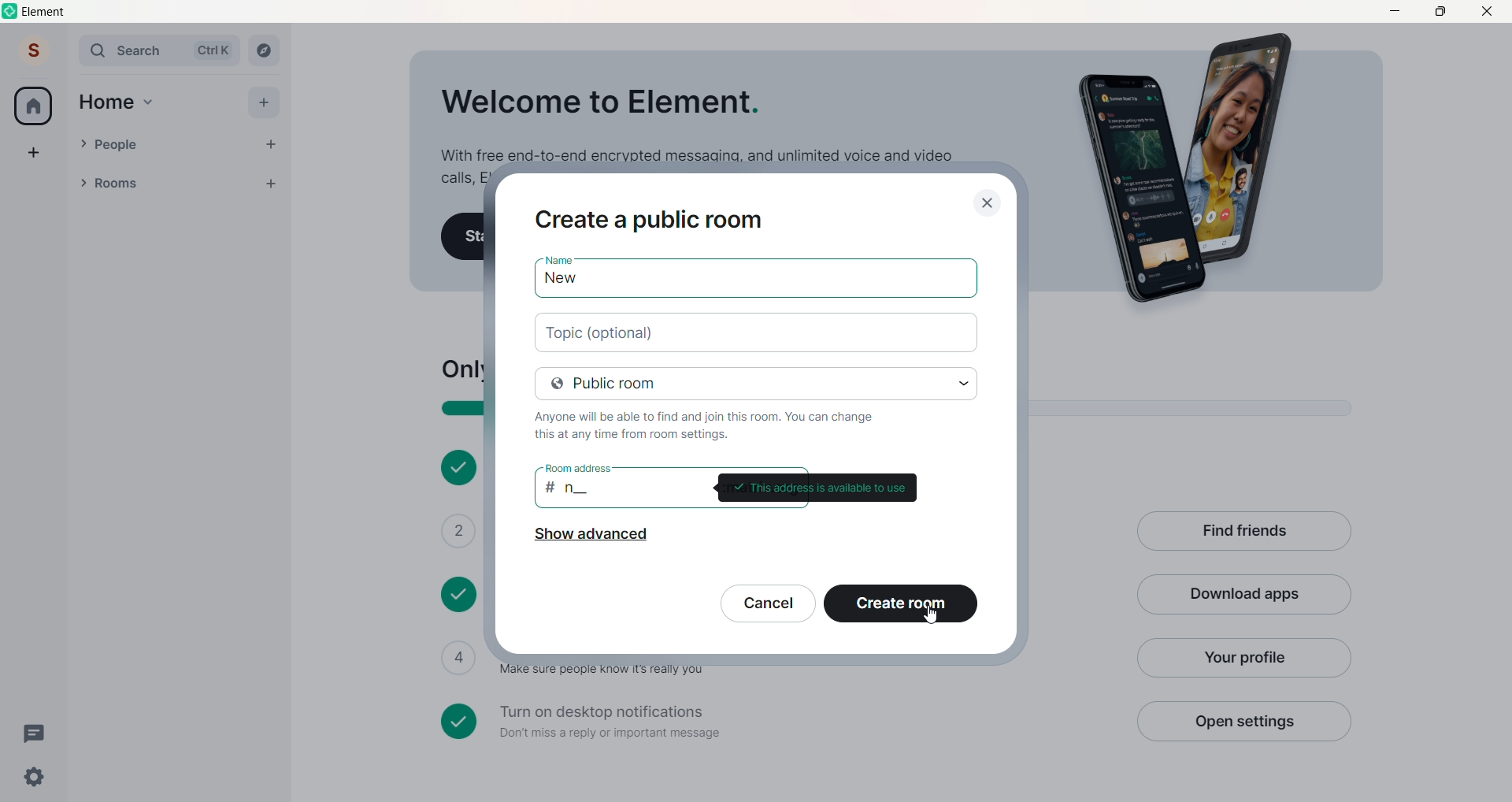  What do you see at coordinates (1242, 658) in the screenshot?
I see `Your Profile` at bounding box center [1242, 658].